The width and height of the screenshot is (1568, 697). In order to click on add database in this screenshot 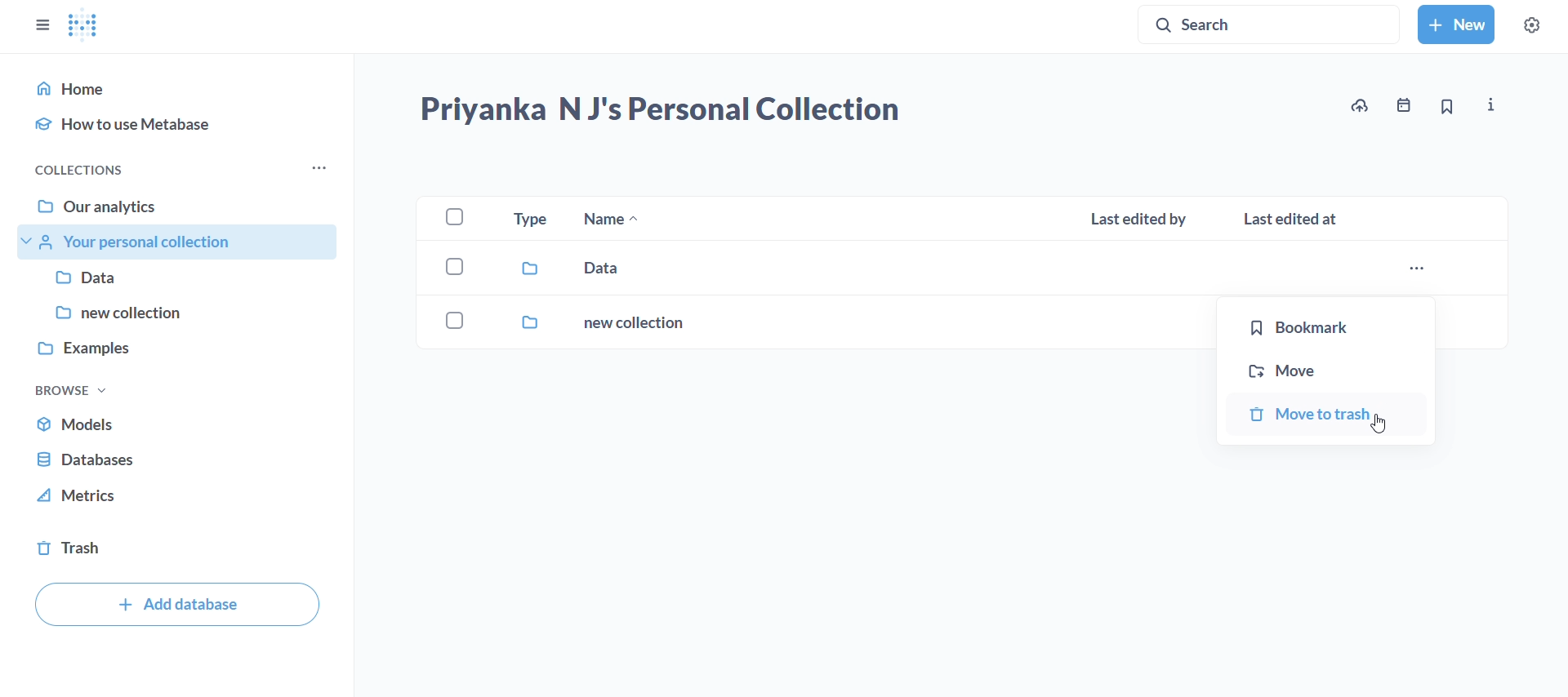, I will do `click(176, 604)`.